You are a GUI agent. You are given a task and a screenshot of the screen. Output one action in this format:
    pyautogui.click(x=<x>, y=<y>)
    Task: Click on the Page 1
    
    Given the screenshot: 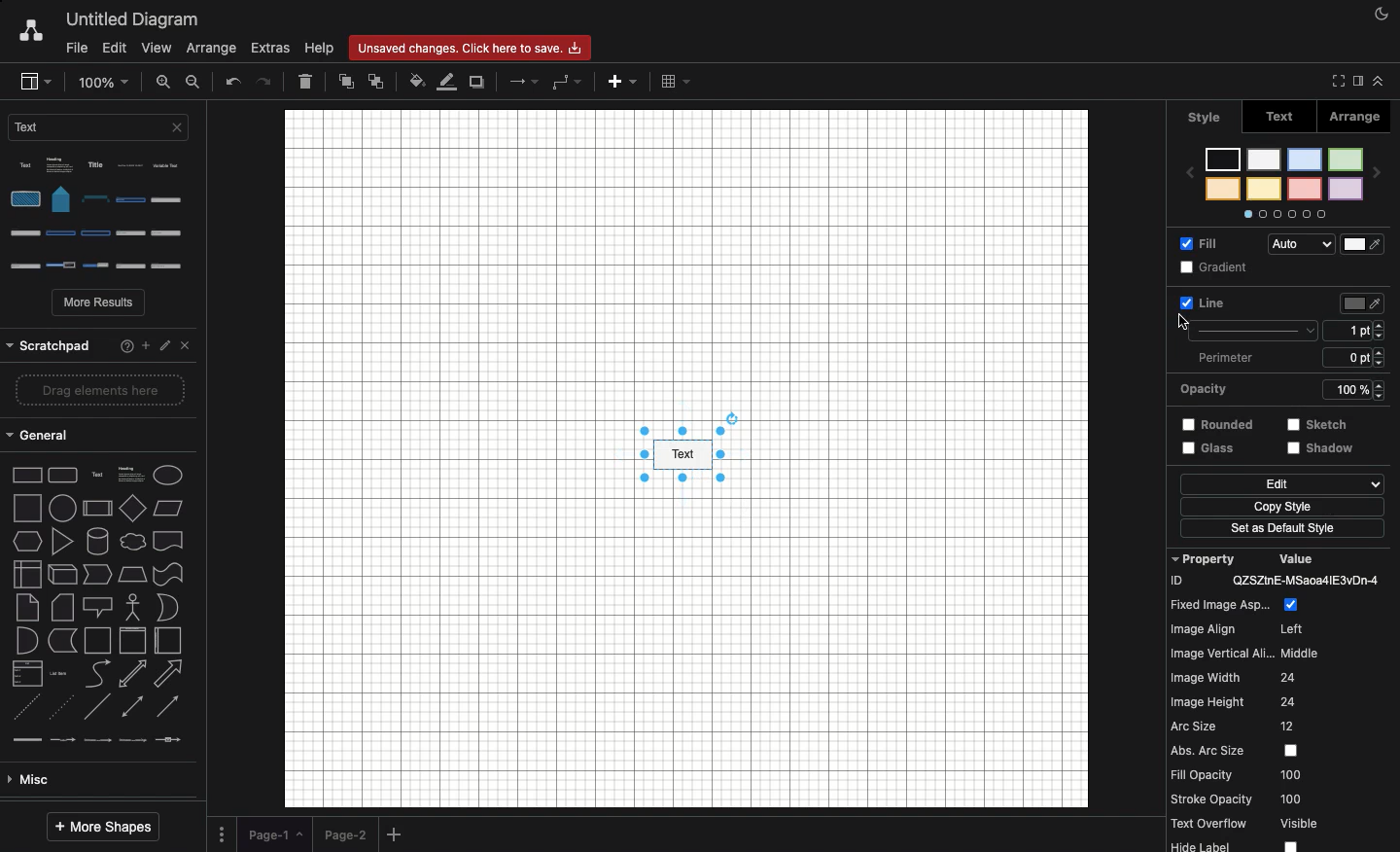 What is the action you would take?
    pyautogui.click(x=274, y=832)
    